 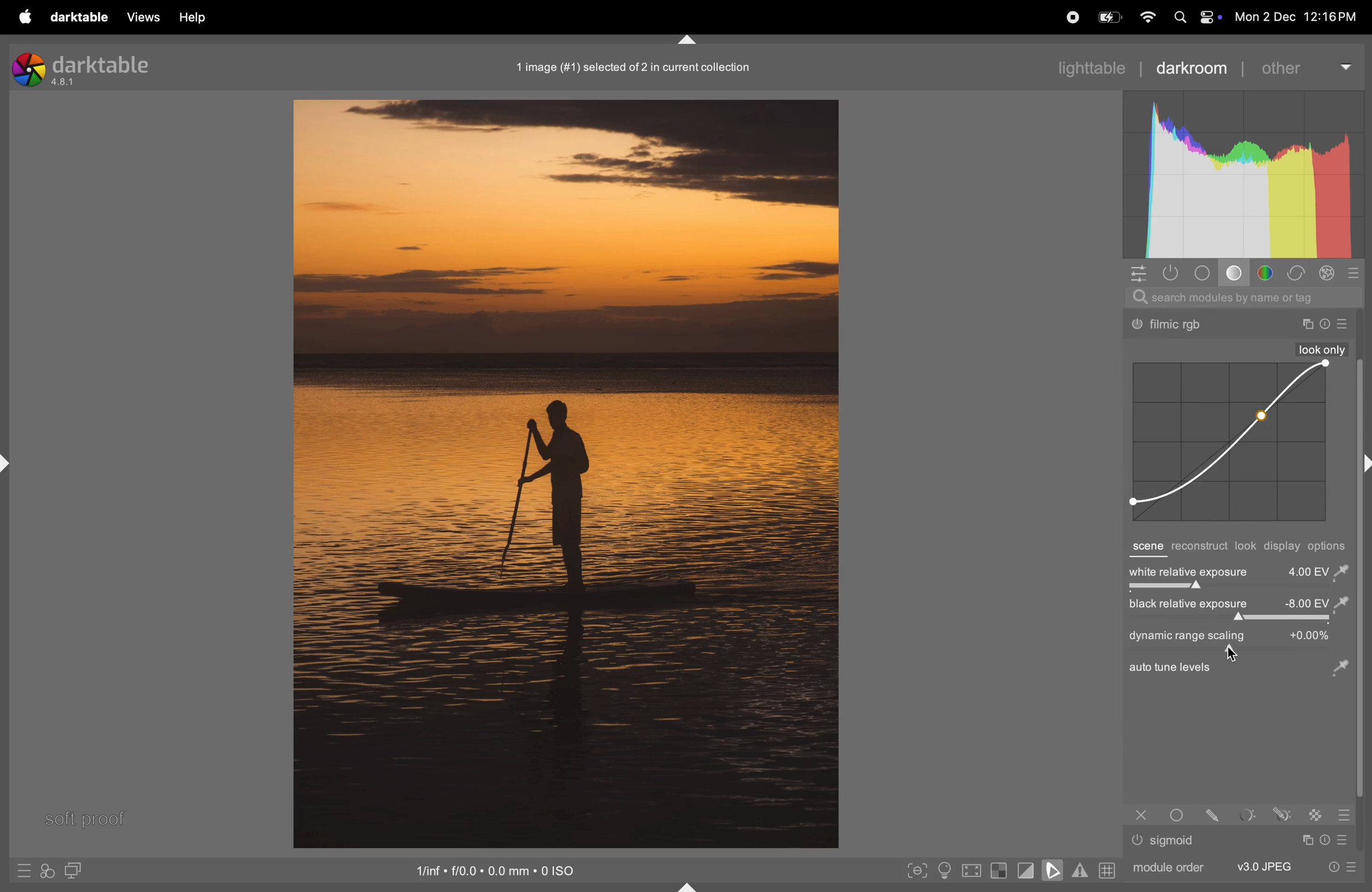 What do you see at coordinates (1141, 815) in the screenshot?
I see `` at bounding box center [1141, 815].